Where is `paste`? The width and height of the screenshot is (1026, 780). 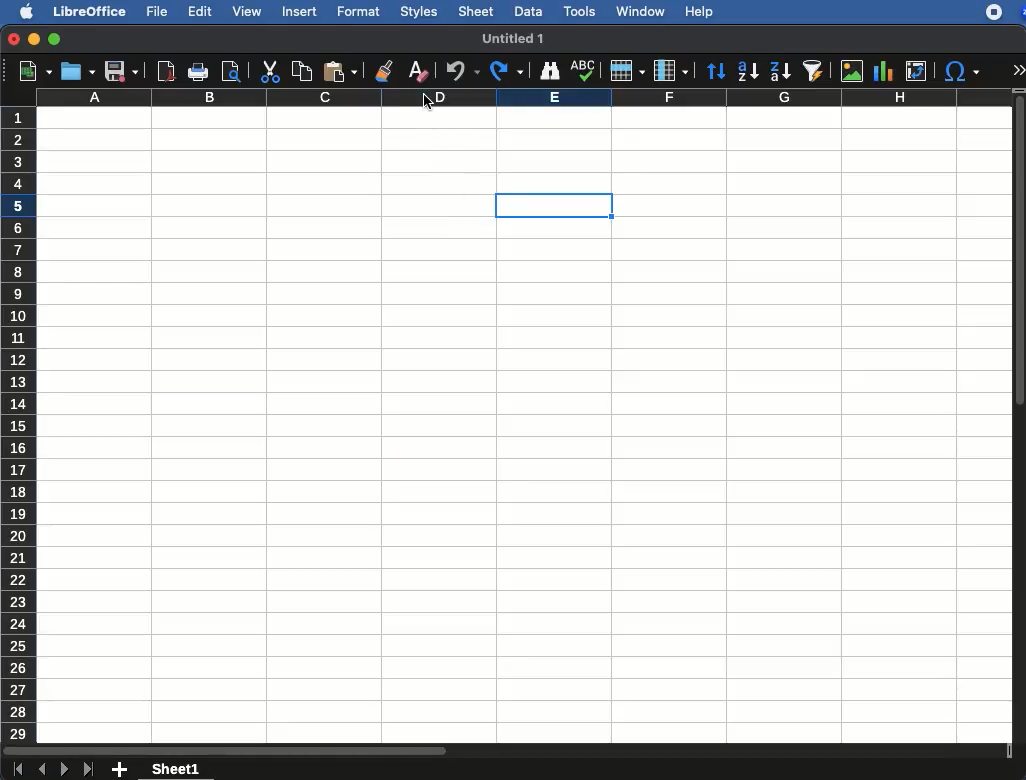
paste is located at coordinates (339, 72).